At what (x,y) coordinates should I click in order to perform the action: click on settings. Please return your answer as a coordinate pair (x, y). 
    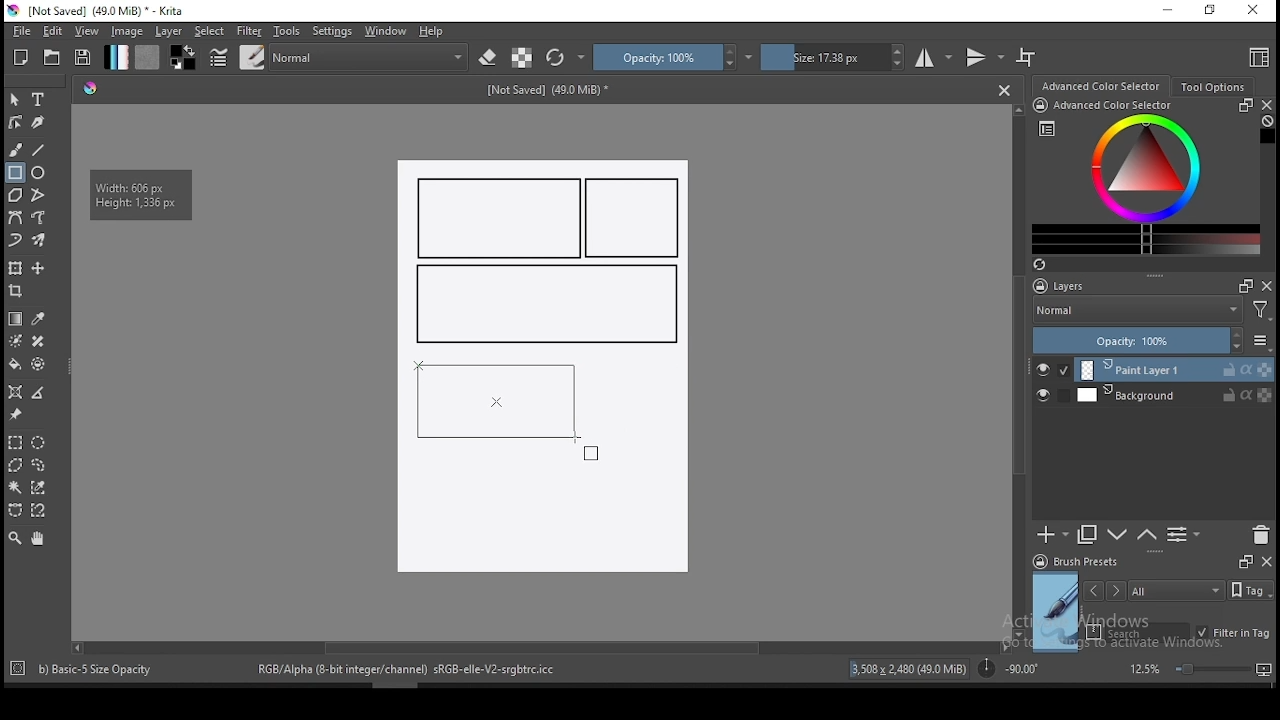
    Looking at the image, I should click on (332, 31).